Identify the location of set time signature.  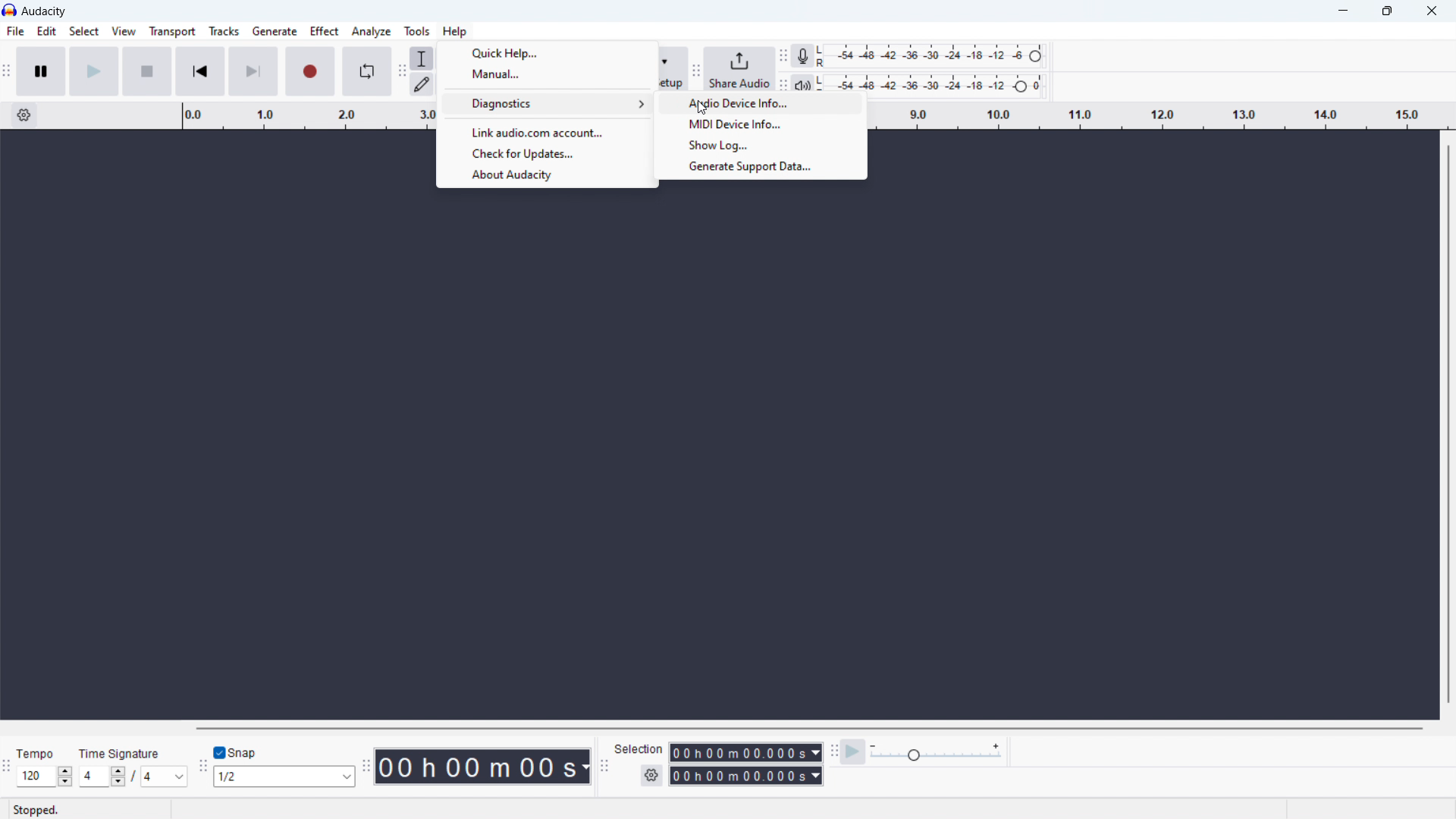
(129, 777).